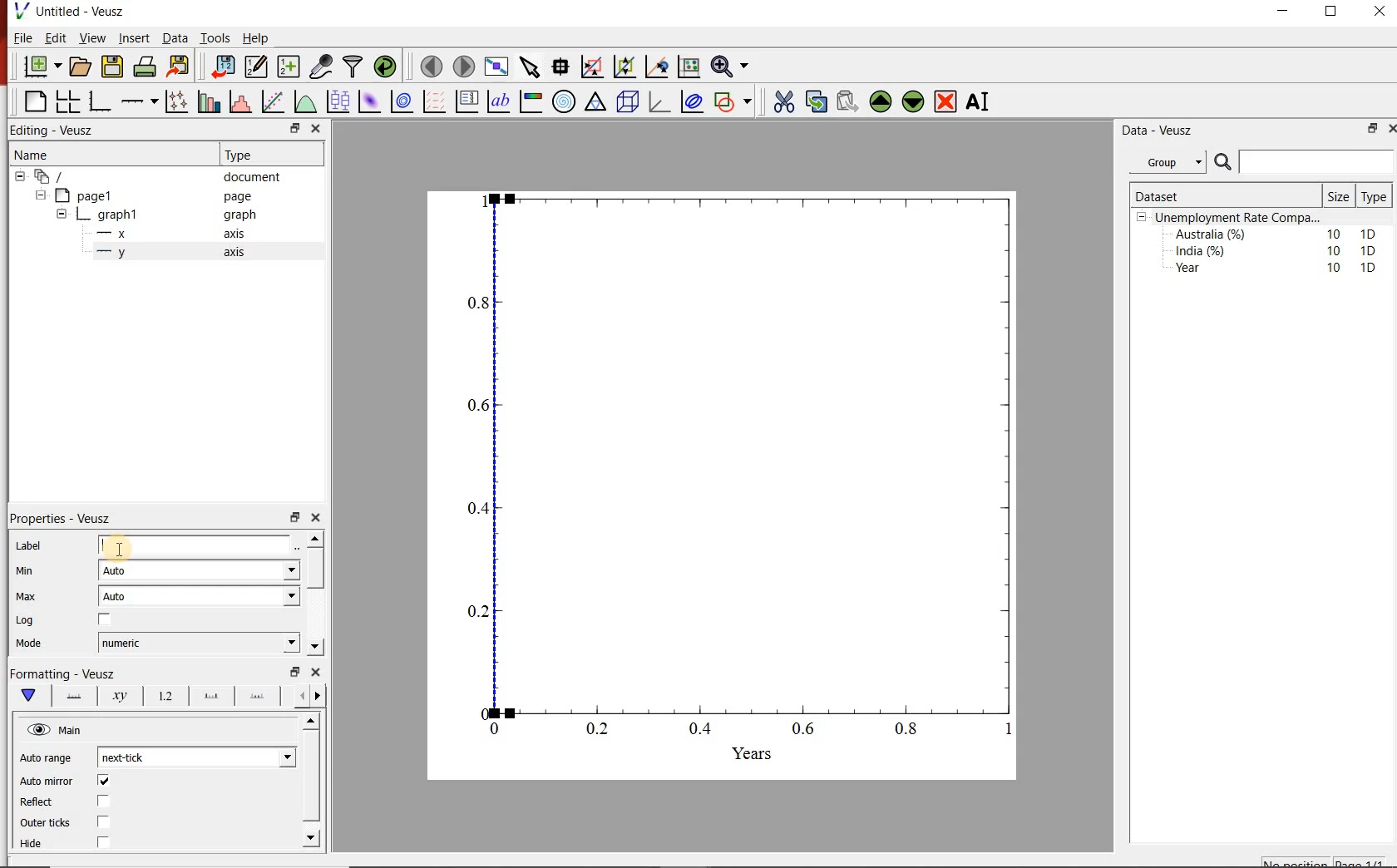  I want to click on scroll bar, so click(314, 569).